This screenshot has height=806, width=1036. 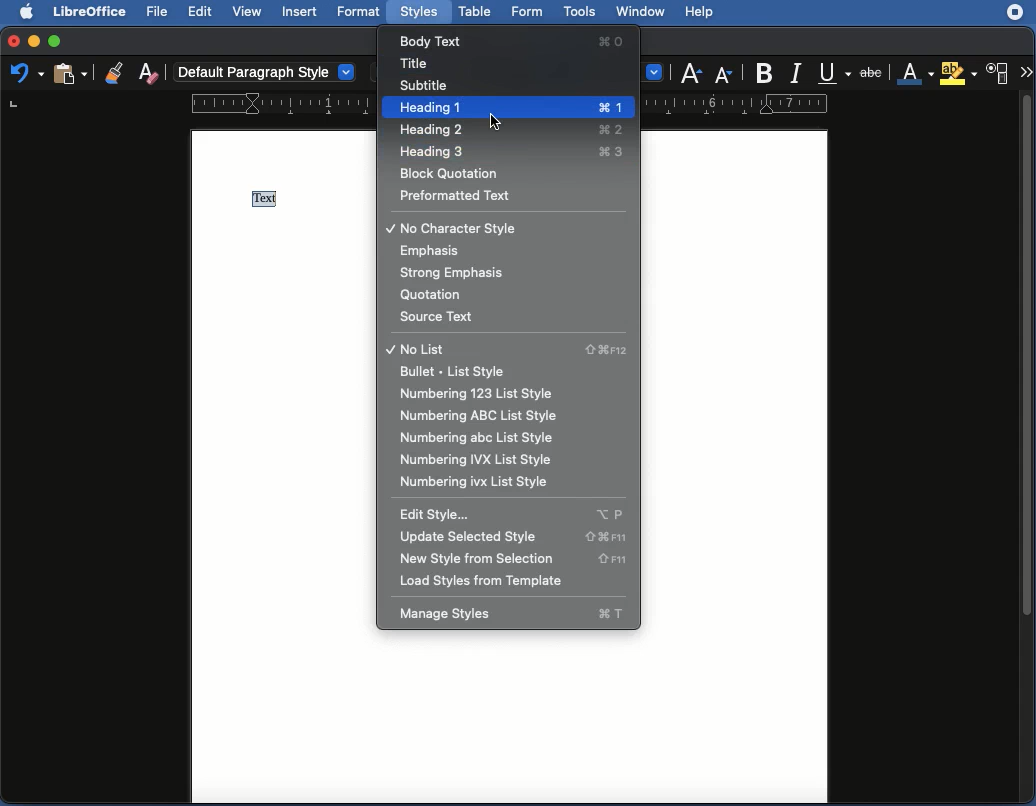 What do you see at coordinates (68, 75) in the screenshot?
I see `Clipboard` at bounding box center [68, 75].